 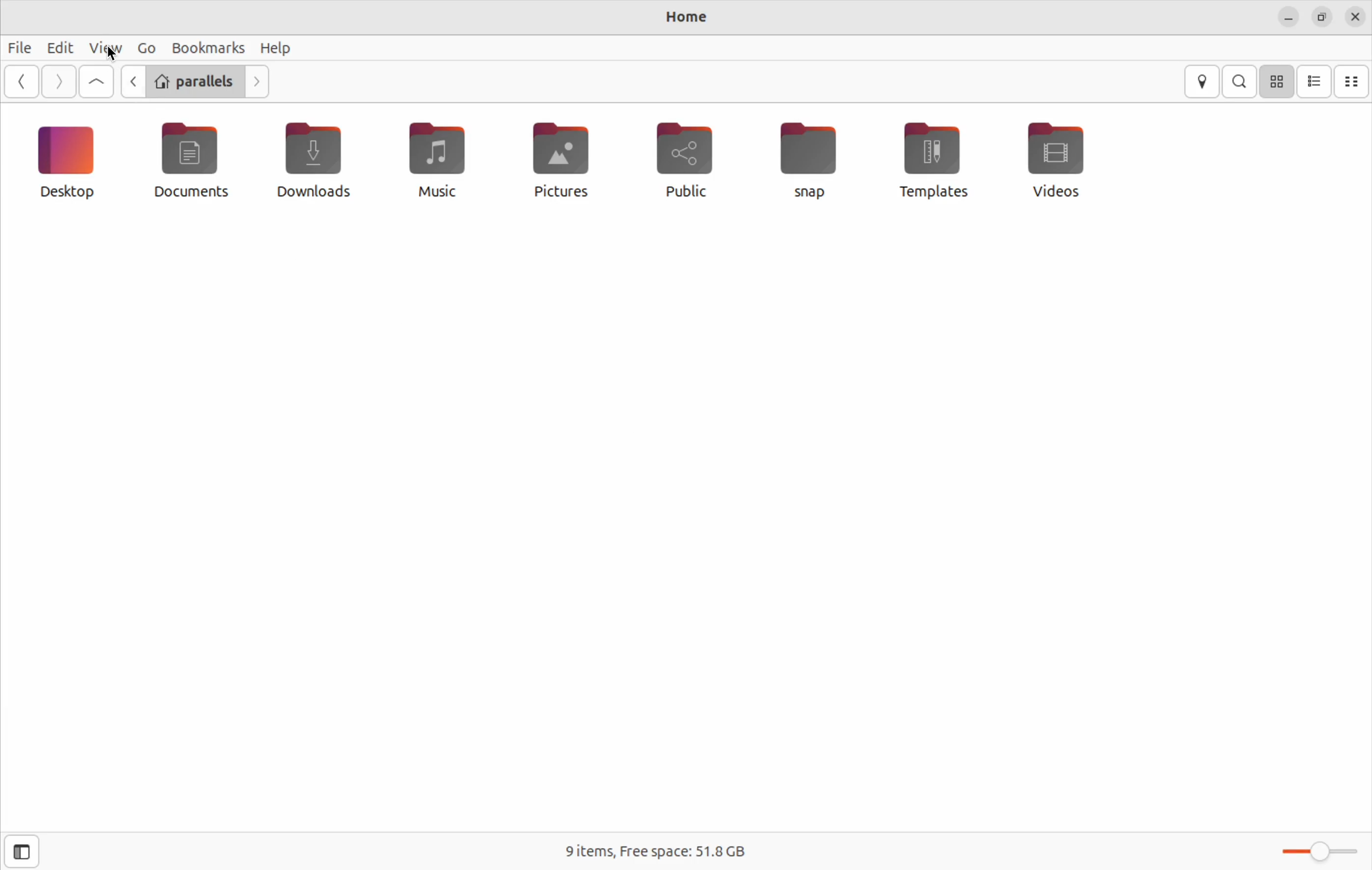 I want to click on Go back, so click(x=132, y=83).